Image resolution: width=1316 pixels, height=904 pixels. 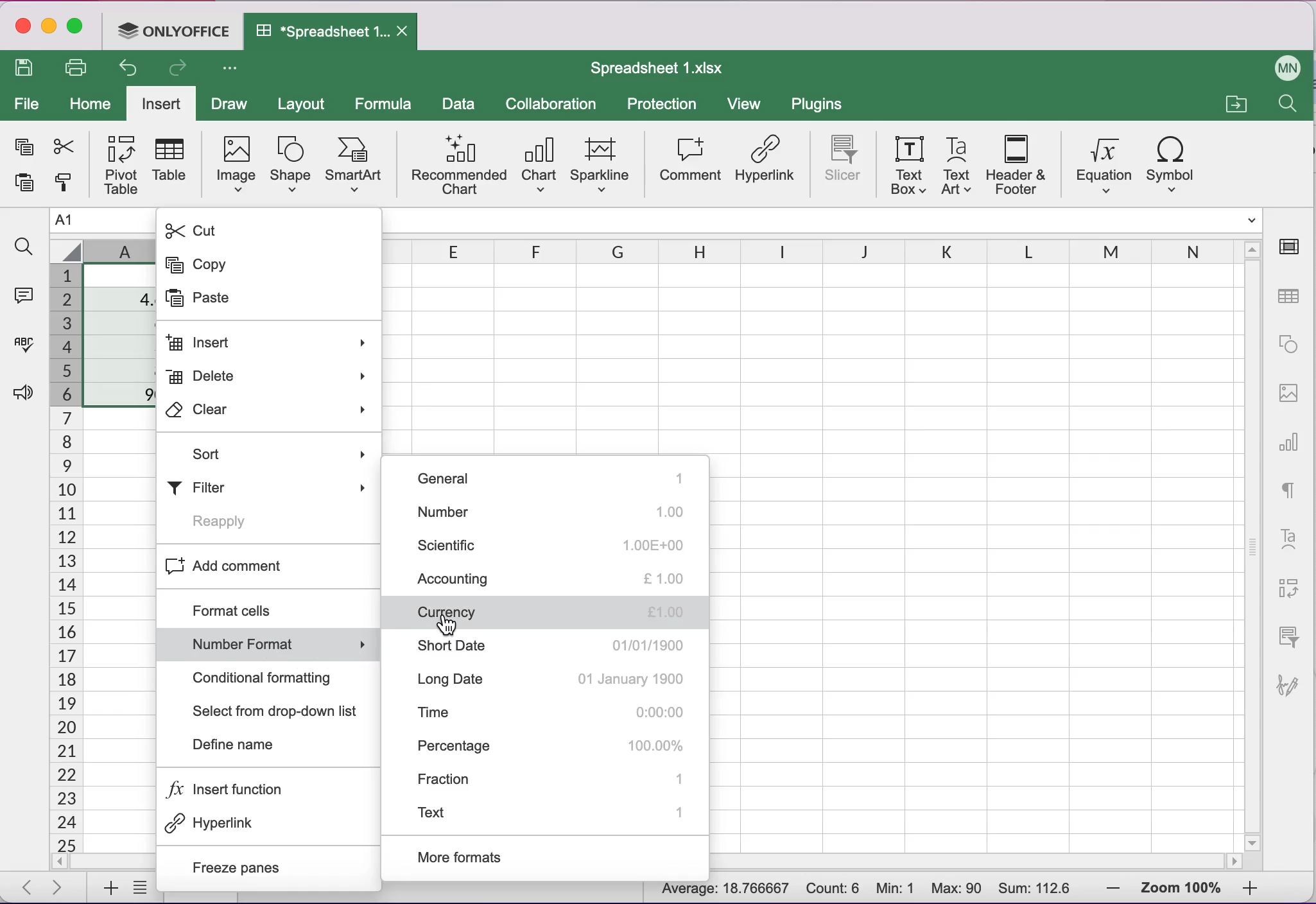 What do you see at coordinates (553, 812) in the screenshot?
I see `text` at bounding box center [553, 812].